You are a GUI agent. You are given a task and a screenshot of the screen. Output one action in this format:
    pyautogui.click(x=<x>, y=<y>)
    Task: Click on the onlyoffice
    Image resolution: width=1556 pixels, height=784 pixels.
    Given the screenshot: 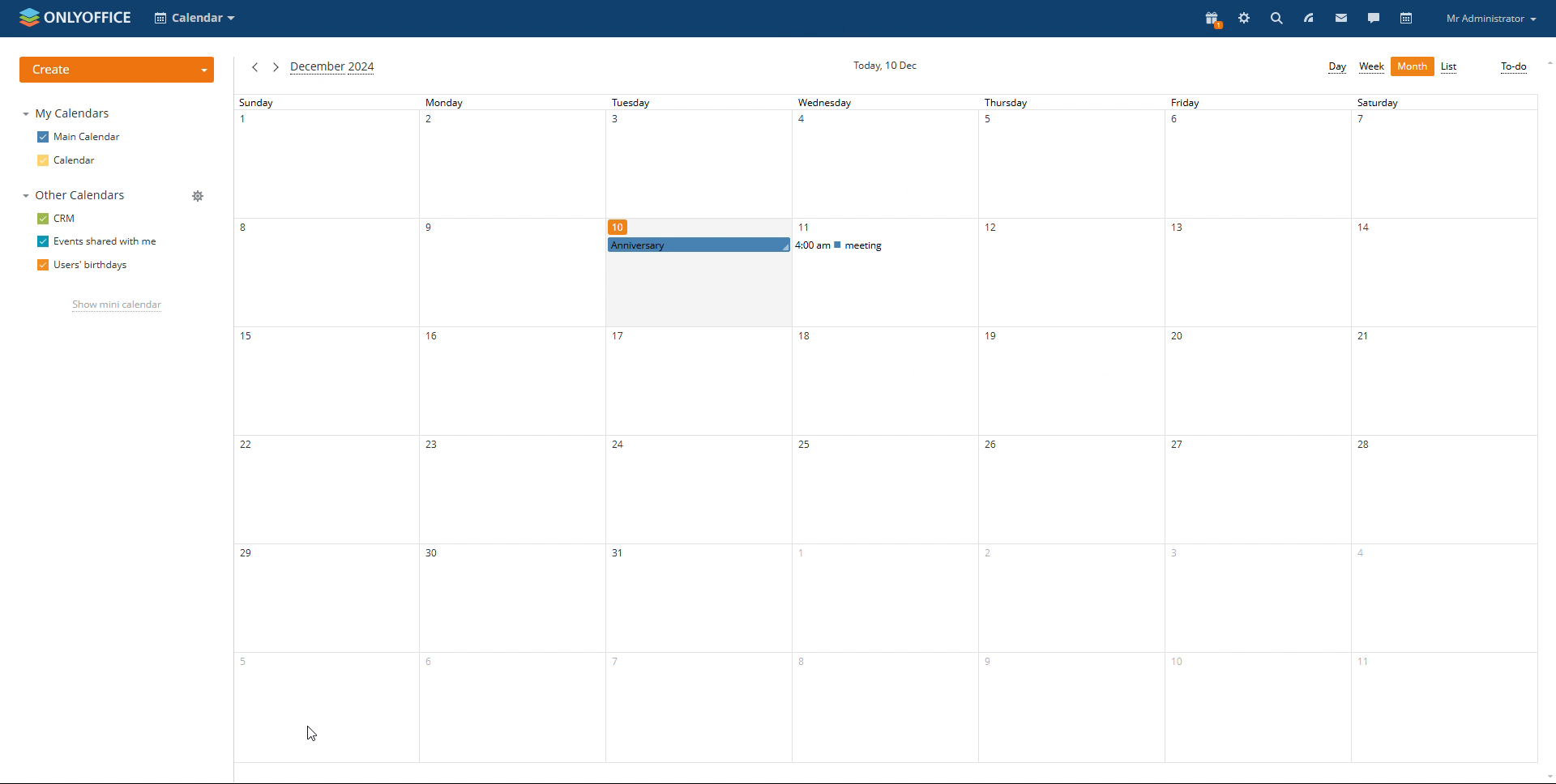 What is the action you would take?
    pyautogui.click(x=95, y=17)
    